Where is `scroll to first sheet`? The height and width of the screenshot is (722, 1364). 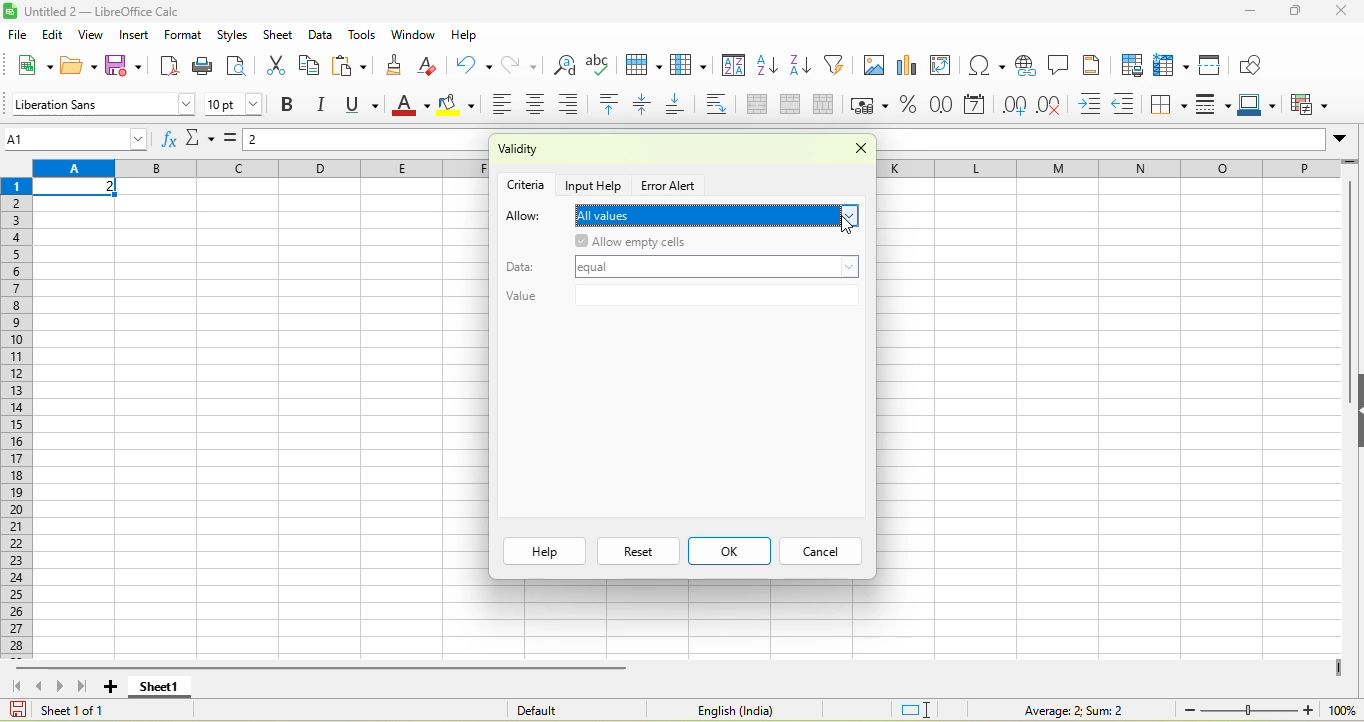
scroll to first sheet is located at coordinates (15, 685).